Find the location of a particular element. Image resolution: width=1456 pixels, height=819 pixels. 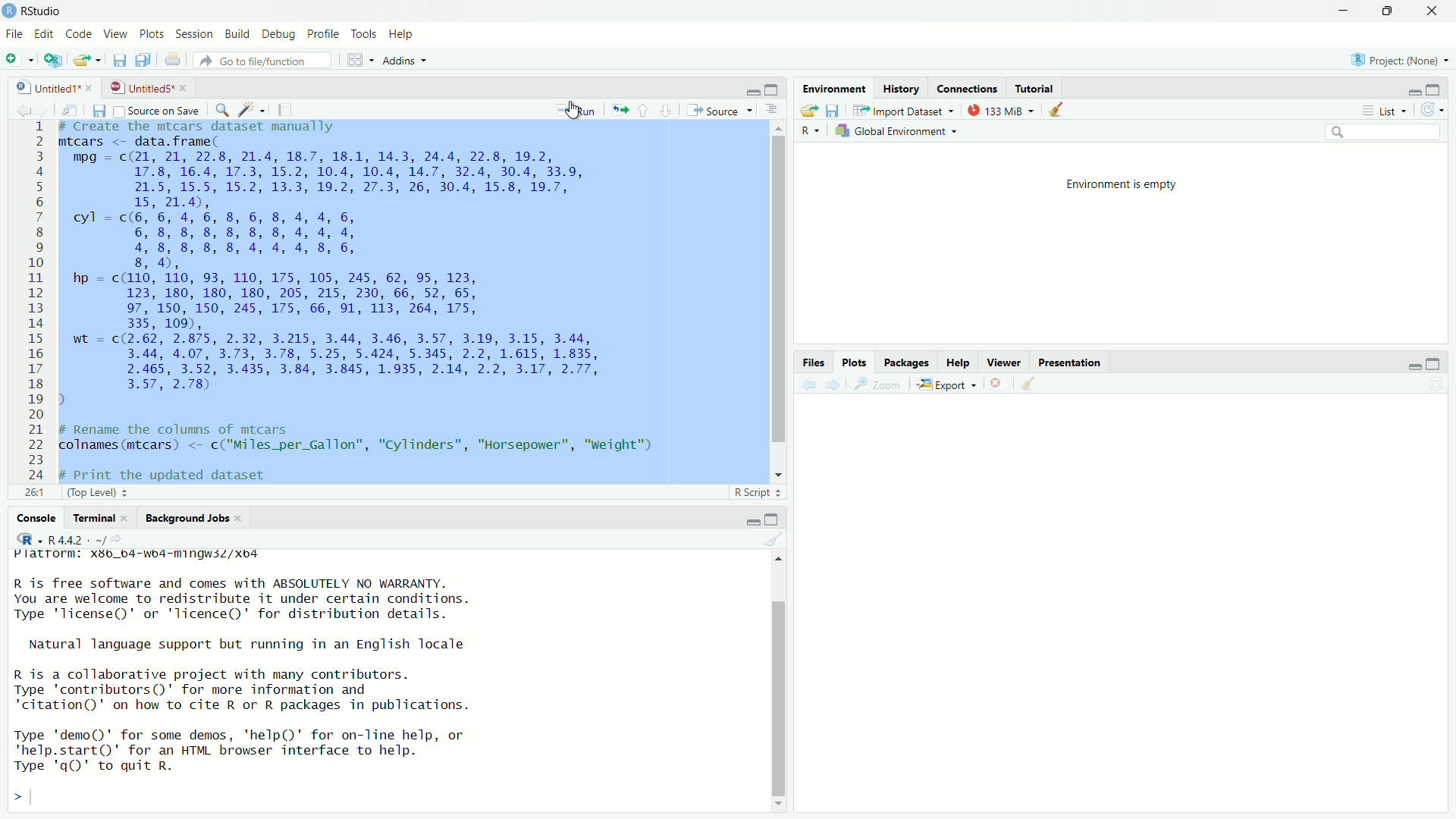

copy is located at coordinates (144, 60).